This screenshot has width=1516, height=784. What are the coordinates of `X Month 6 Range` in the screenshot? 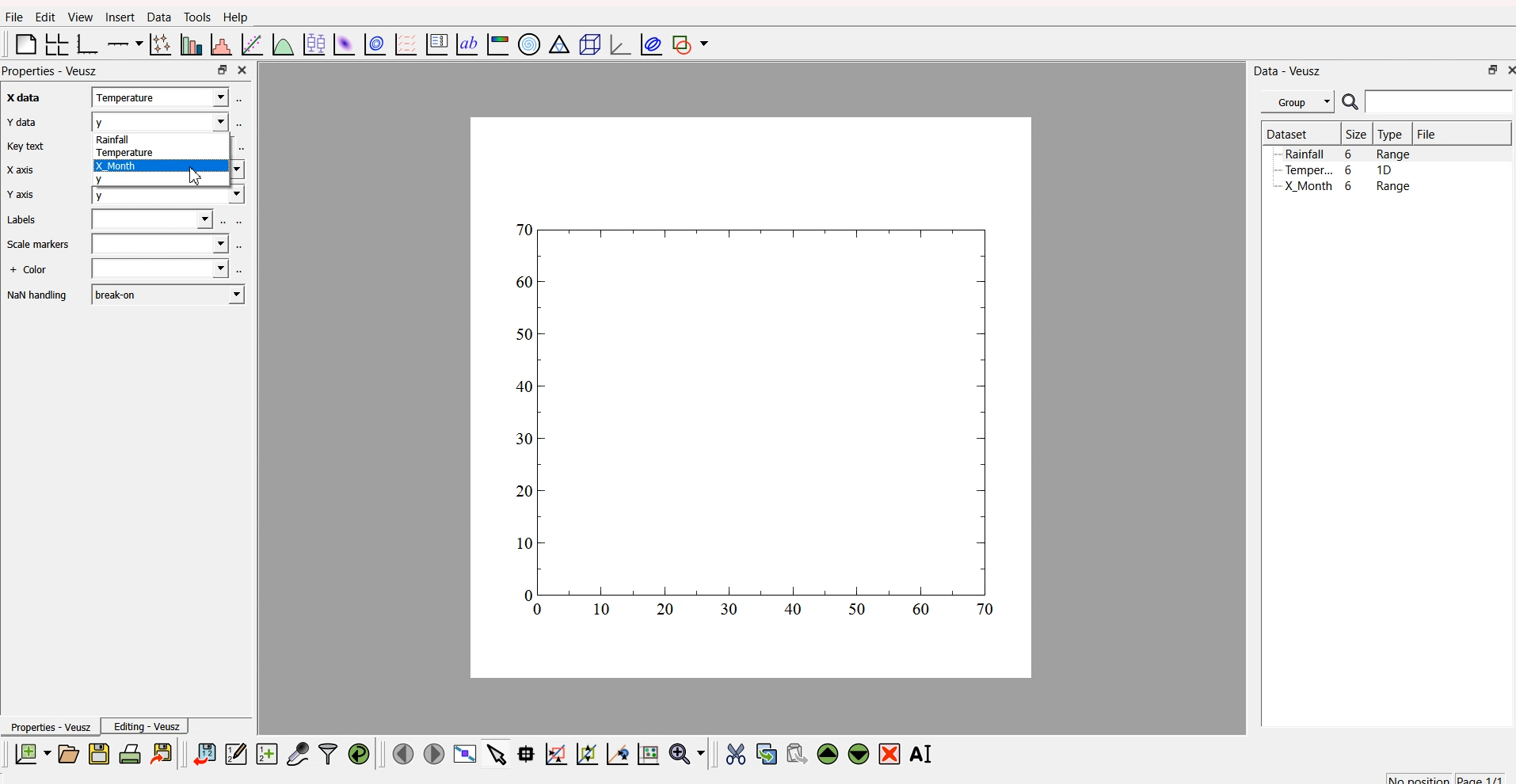 It's located at (1347, 186).